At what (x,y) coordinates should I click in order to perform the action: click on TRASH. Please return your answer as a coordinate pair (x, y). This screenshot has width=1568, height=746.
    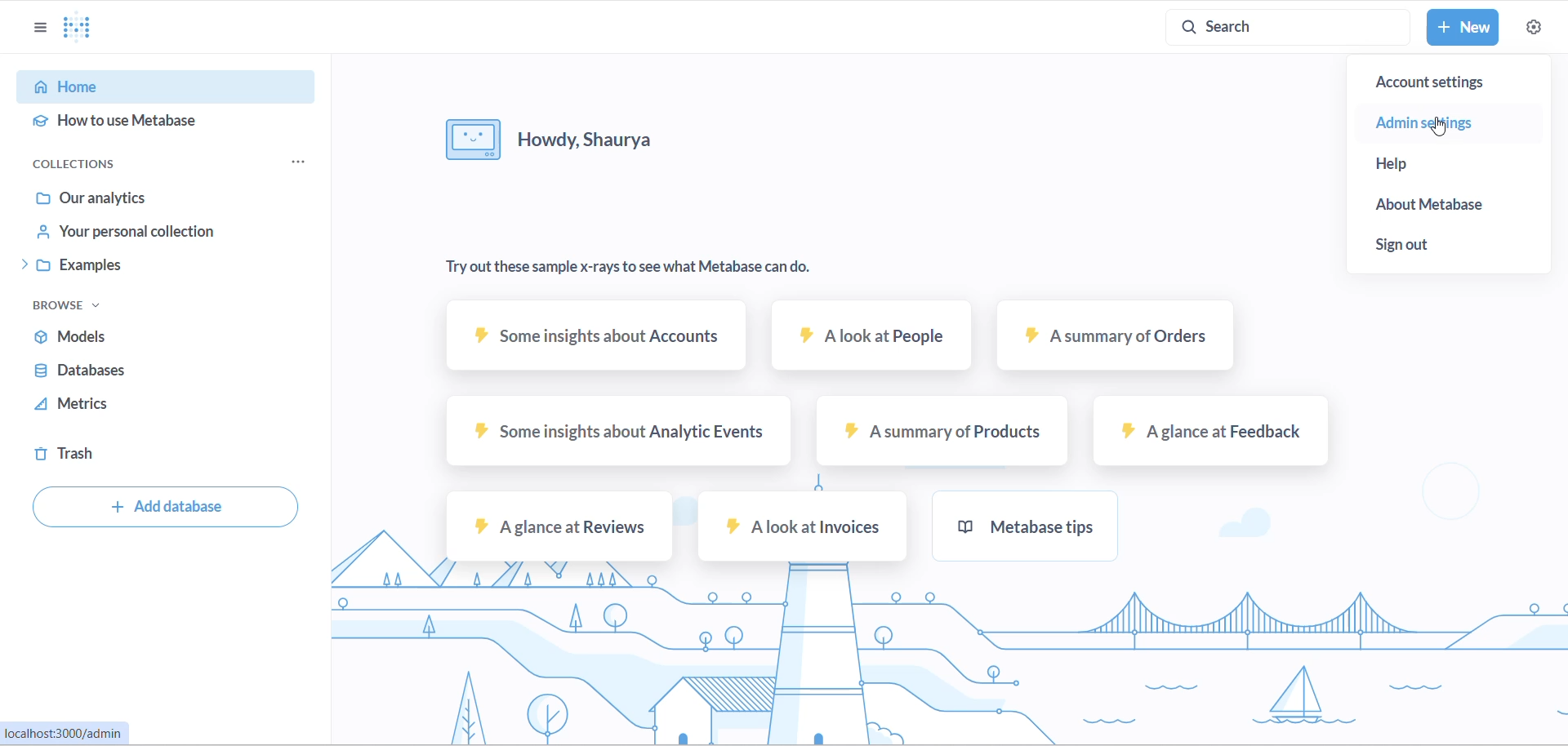
    Looking at the image, I should click on (99, 457).